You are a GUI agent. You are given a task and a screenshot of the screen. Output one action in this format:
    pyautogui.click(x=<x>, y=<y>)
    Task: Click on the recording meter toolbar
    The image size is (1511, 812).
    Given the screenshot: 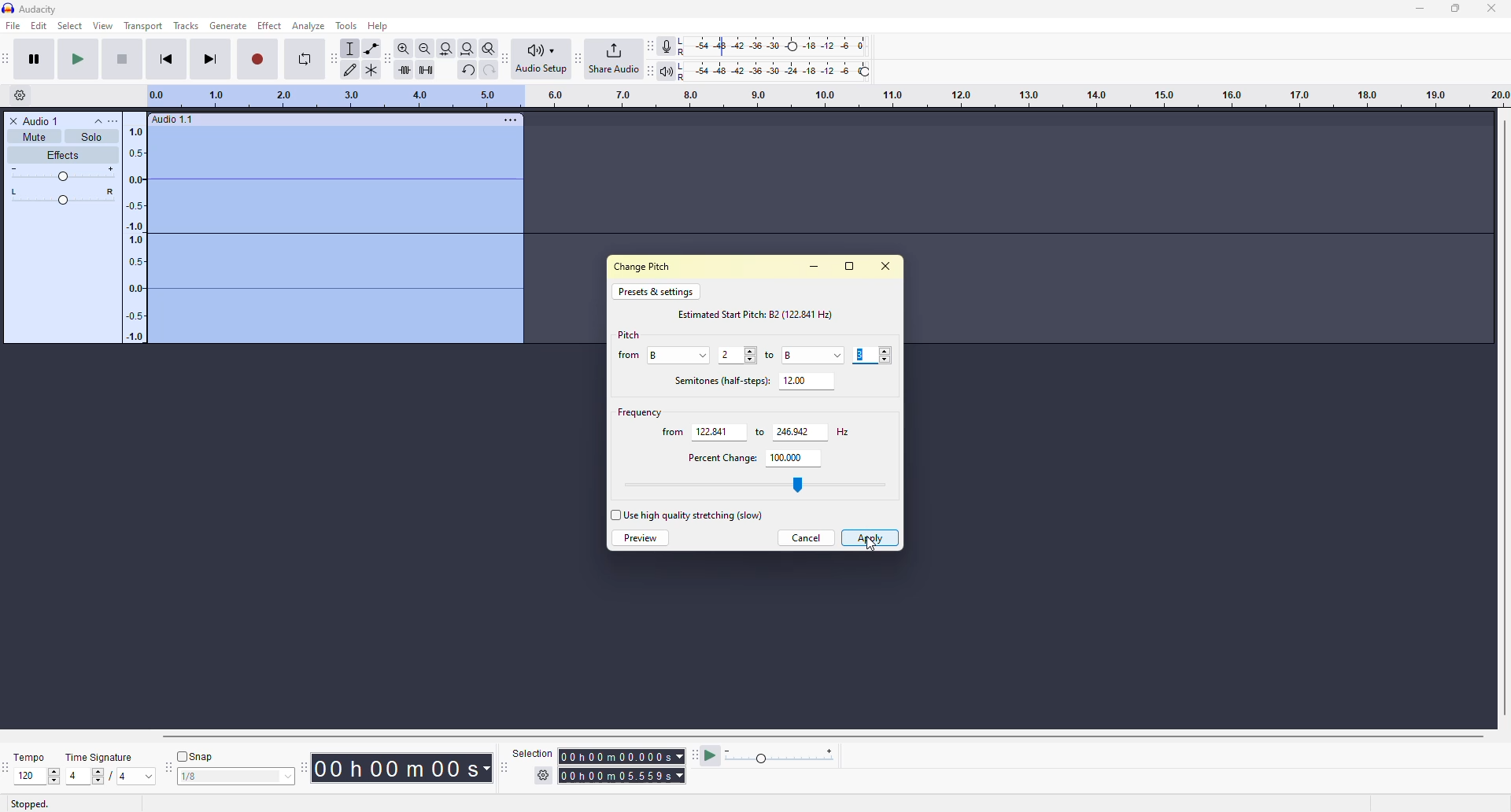 What is the action you would take?
    pyautogui.click(x=650, y=46)
    